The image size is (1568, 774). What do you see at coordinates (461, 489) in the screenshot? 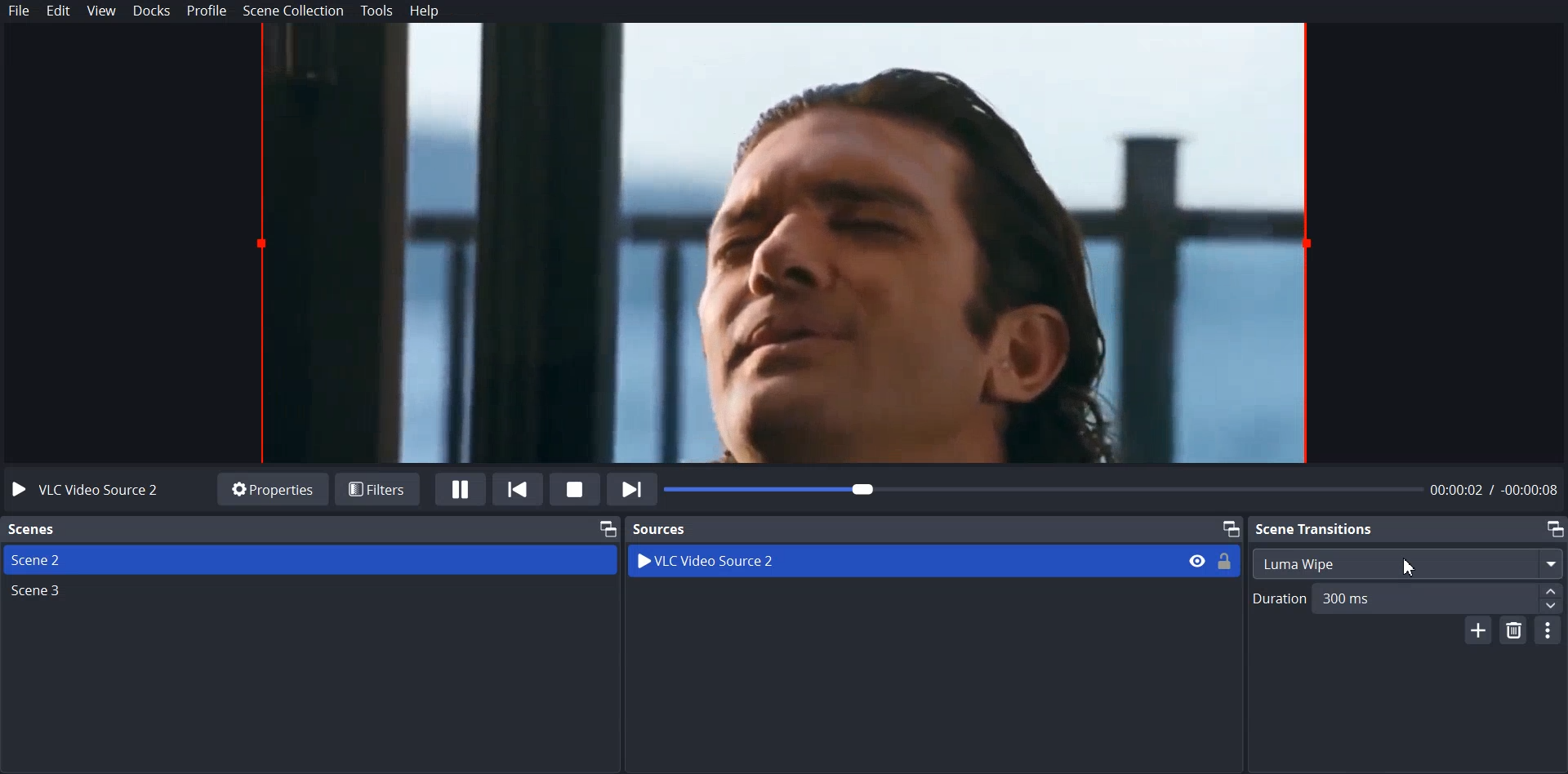
I see `Pause Media` at bounding box center [461, 489].